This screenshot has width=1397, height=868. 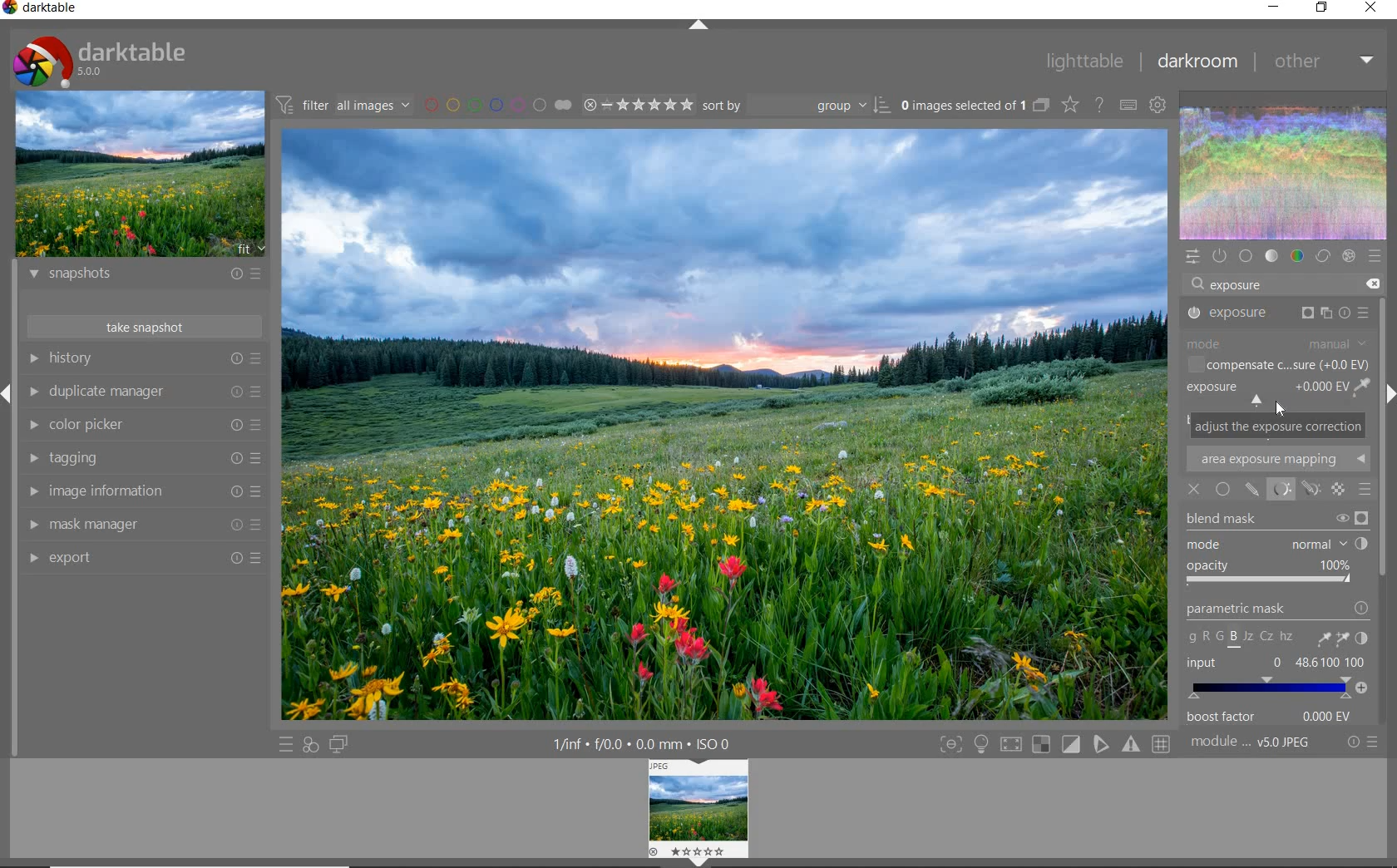 I want to click on AREA EXPOSURE MAPPING, so click(x=1285, y=460).